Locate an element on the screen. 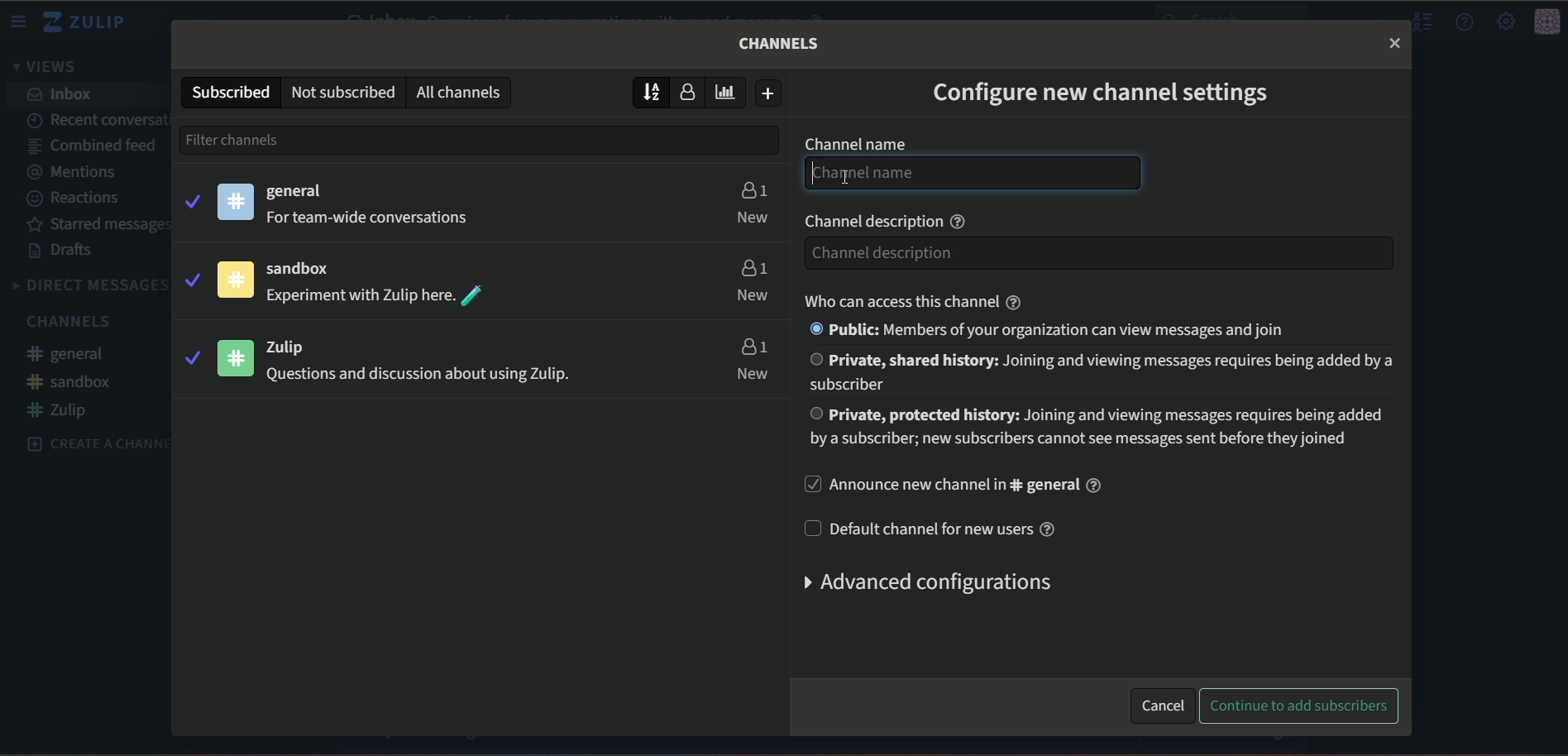 This screenshot has height=756, width=1568. sort is located at coordinates (652, 91).